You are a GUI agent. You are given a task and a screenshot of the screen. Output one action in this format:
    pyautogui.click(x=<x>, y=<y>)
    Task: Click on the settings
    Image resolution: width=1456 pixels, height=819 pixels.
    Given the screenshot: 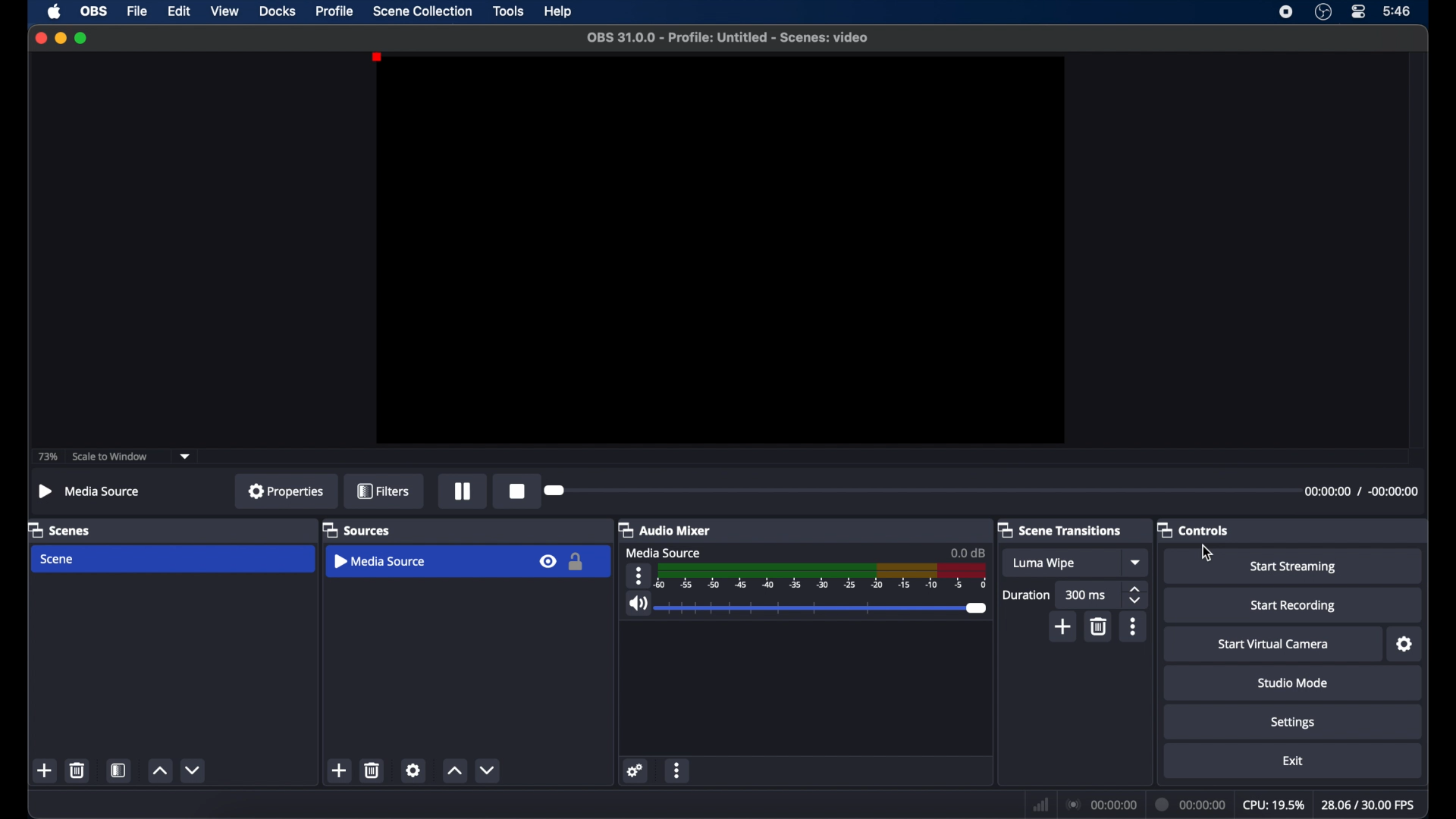 What is the action you would take?
    pyautogui.click(x=1293, y=722)
    